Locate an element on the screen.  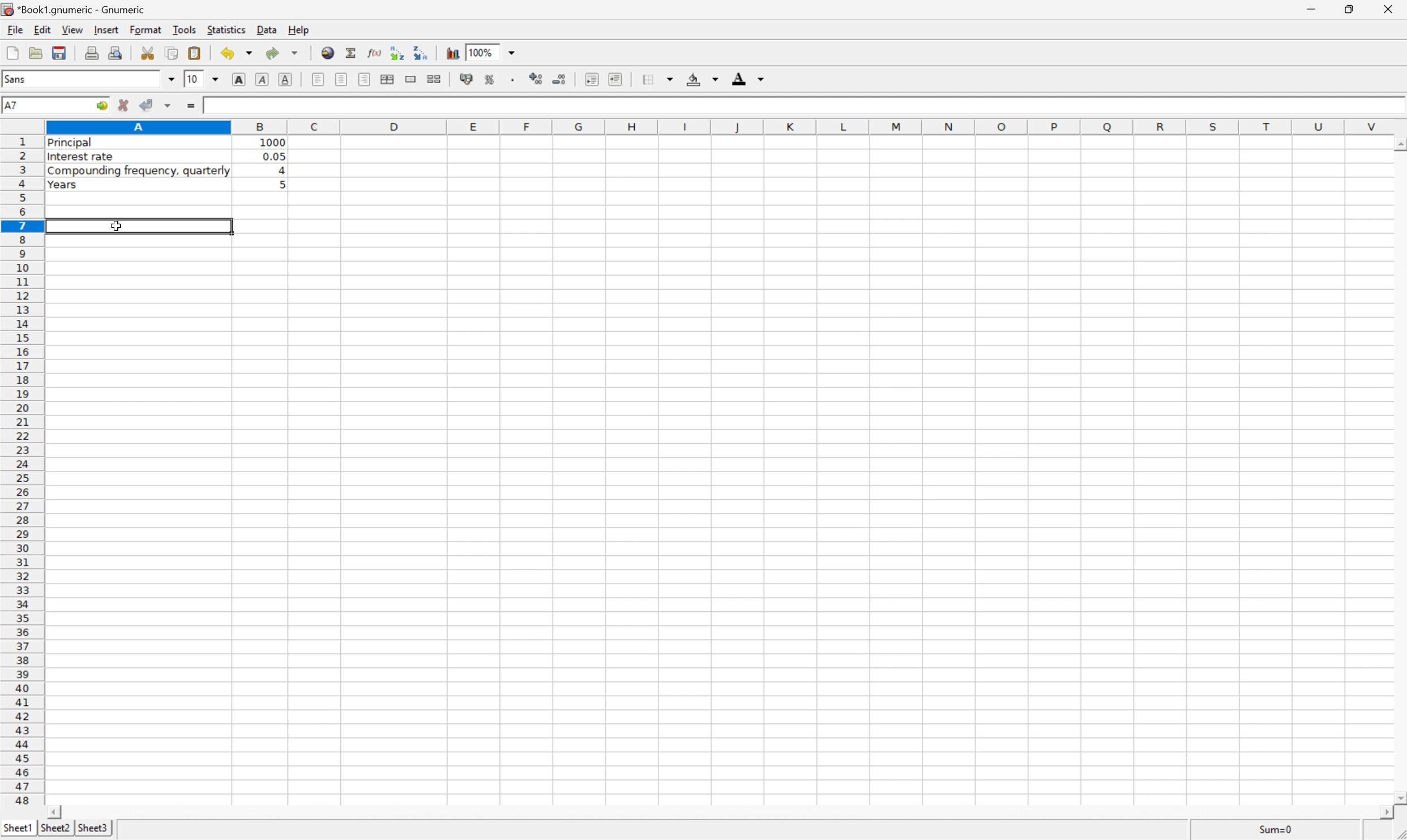
principal is located at coordinates (74, 144).